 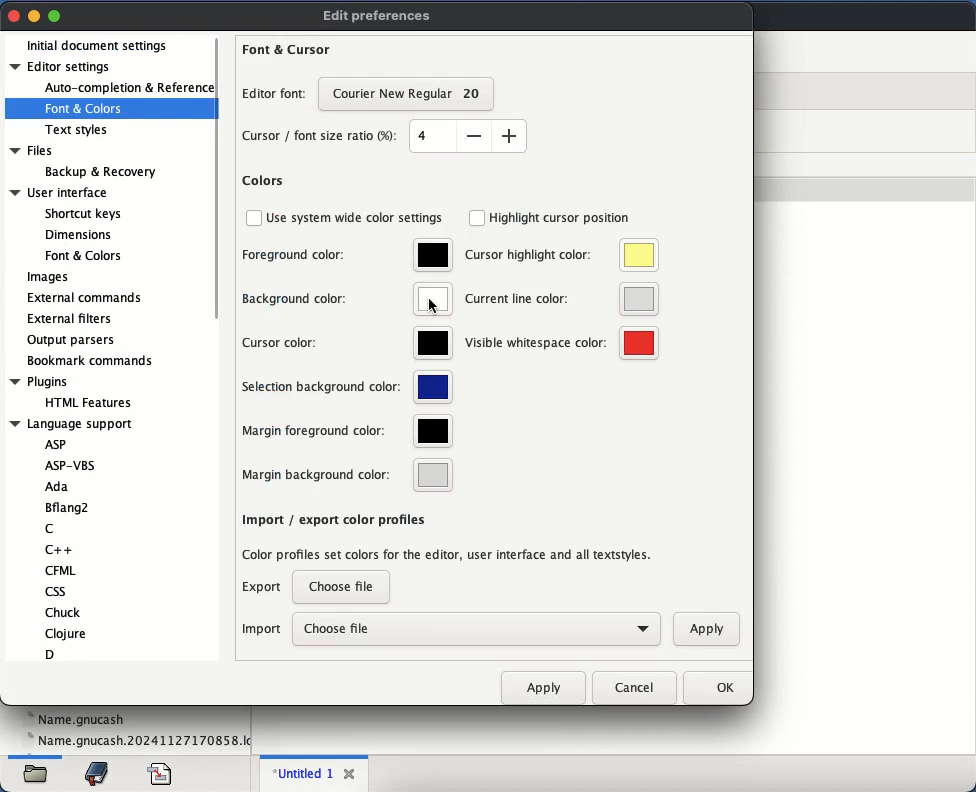 What do you see at coordinates (342, 588) in the screenshot?
I see `choose file` at bounding box center [342, 588].